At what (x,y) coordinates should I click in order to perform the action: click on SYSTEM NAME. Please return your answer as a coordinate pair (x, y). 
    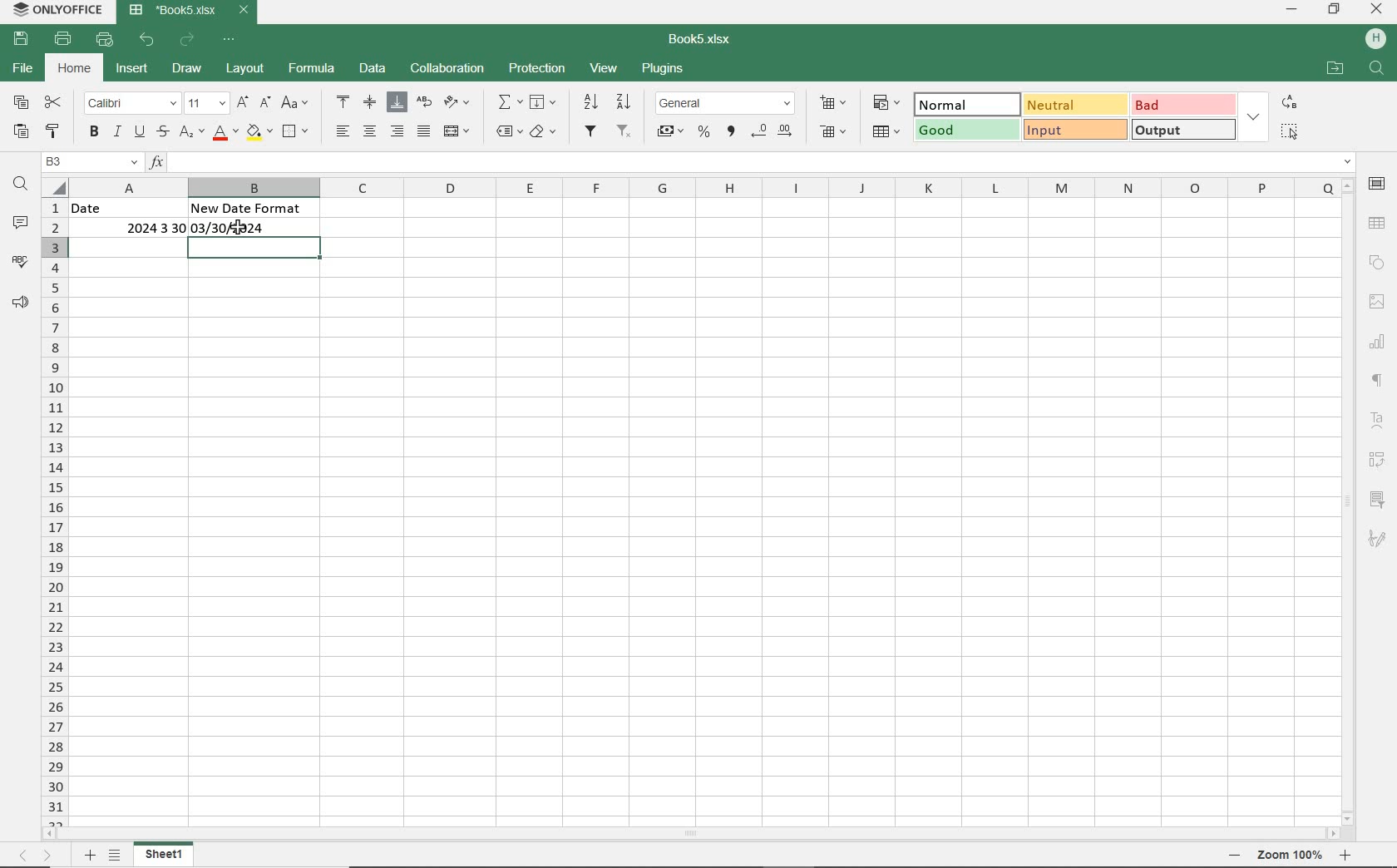
    Looking at the image, I should click on (57, 9).